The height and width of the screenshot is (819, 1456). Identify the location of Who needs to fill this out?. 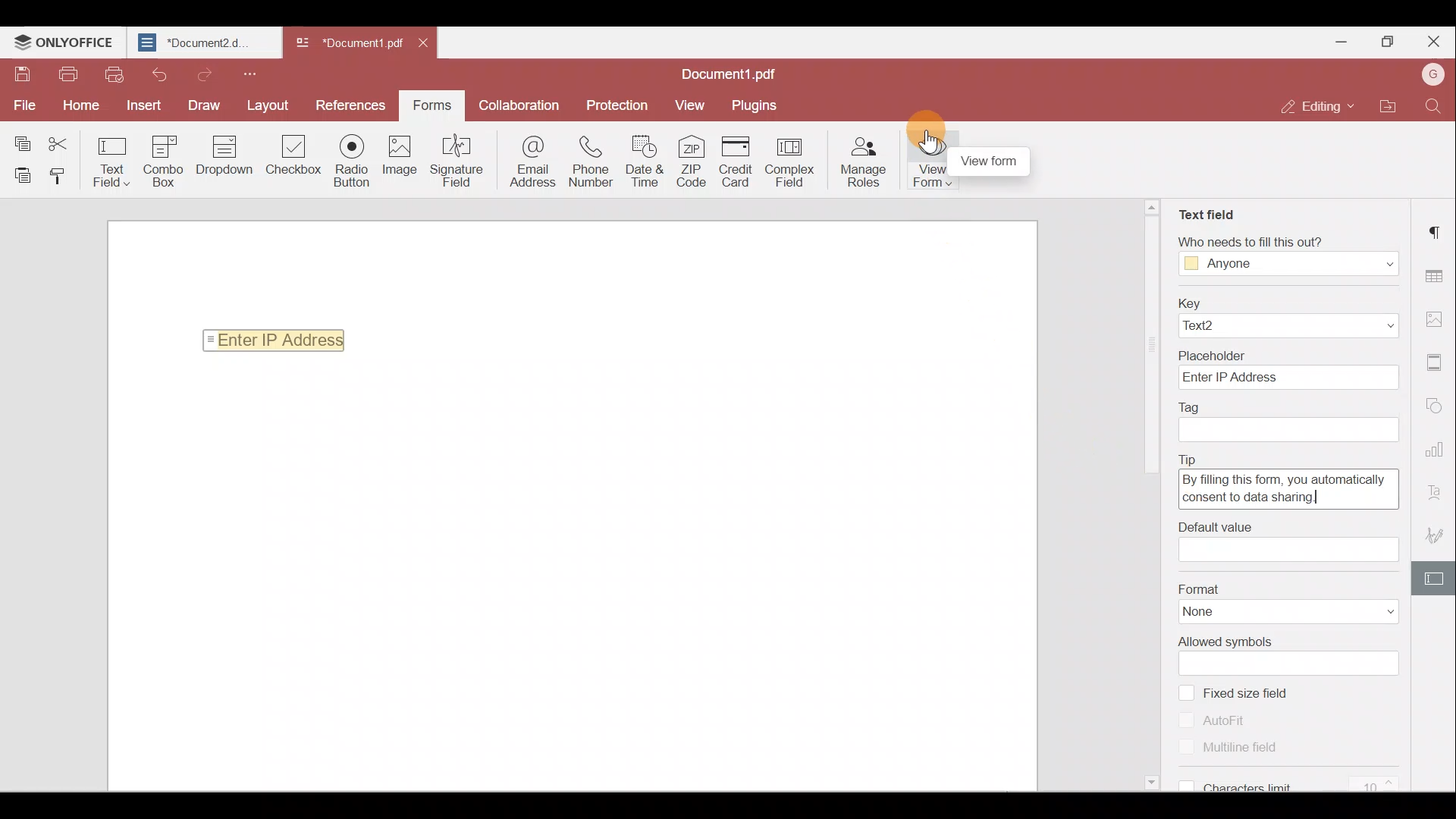
(1279, 239).